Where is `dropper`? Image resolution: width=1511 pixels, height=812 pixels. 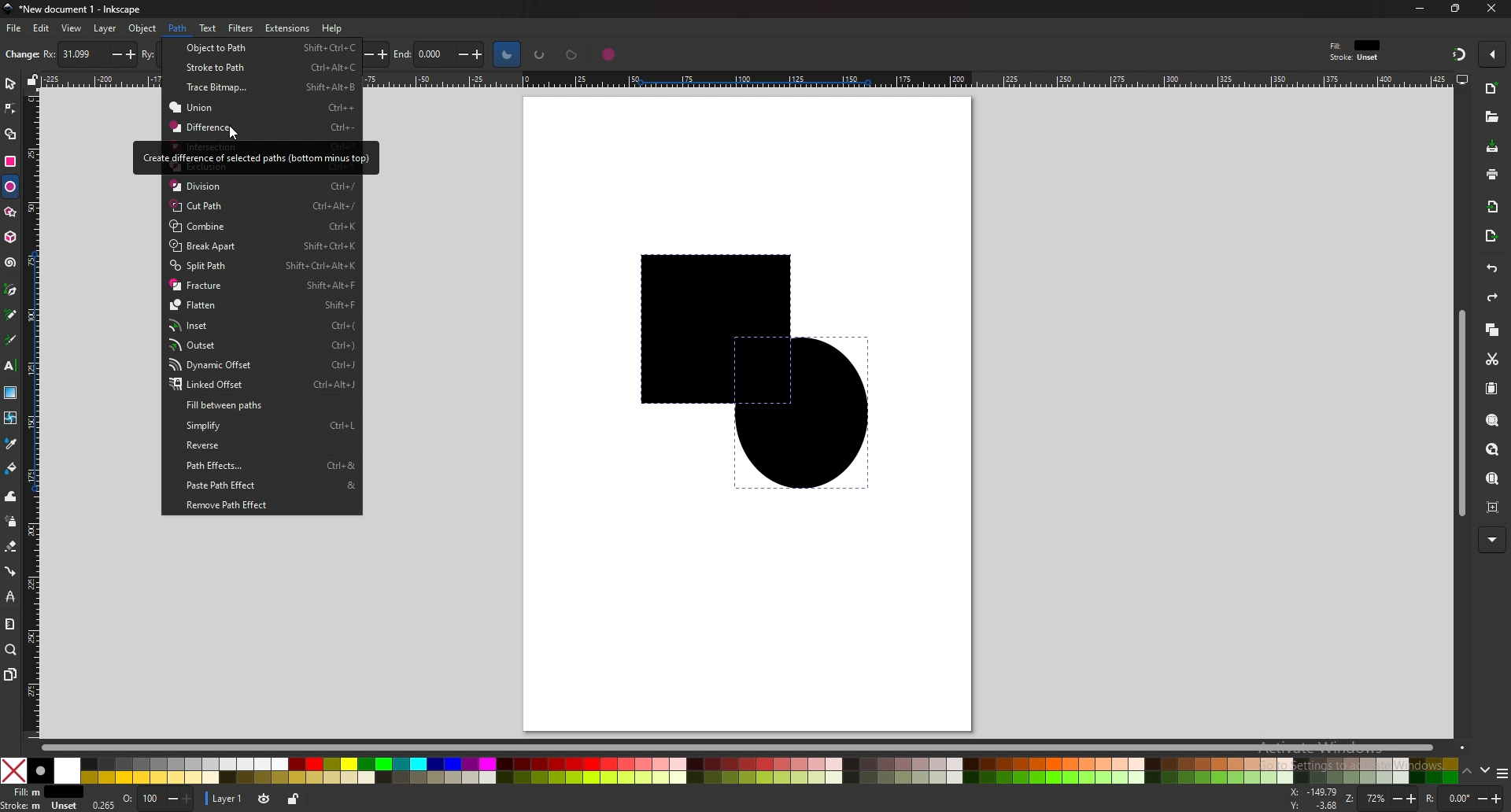 dropper is located at coordinates (12, 445).